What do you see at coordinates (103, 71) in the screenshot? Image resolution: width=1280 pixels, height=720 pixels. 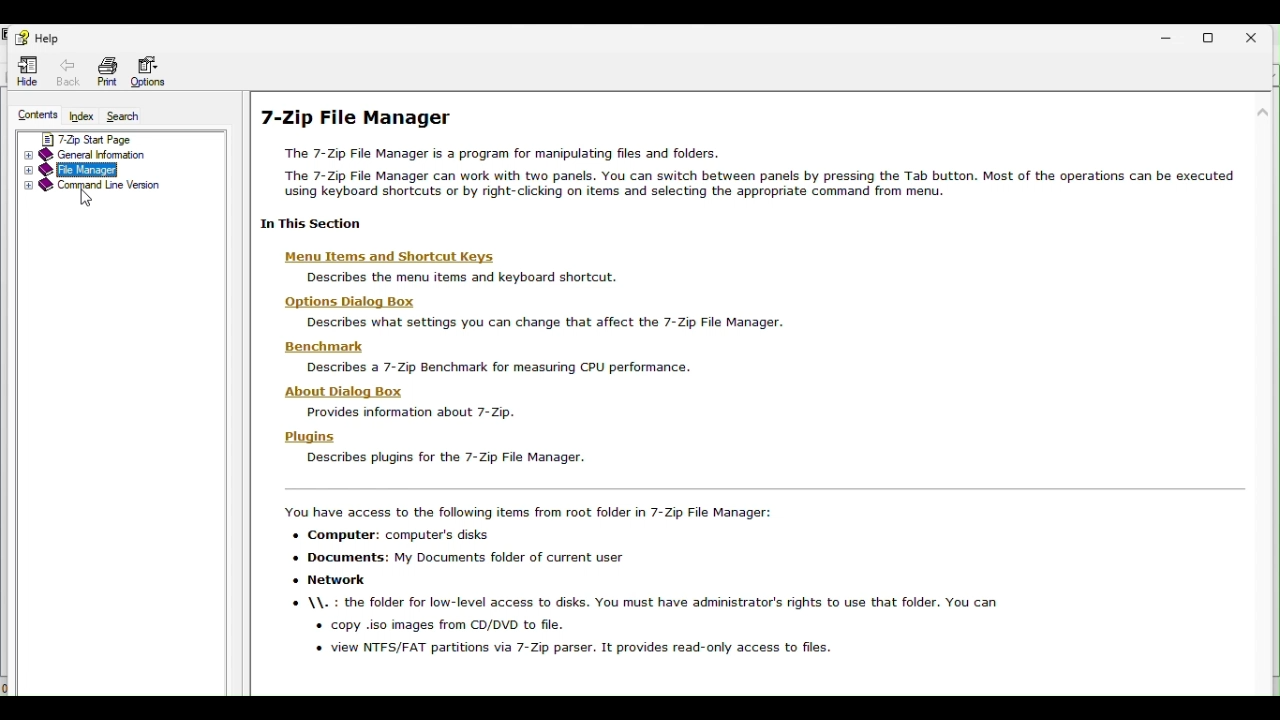 I see `Print` at bounding box center [103, 71].